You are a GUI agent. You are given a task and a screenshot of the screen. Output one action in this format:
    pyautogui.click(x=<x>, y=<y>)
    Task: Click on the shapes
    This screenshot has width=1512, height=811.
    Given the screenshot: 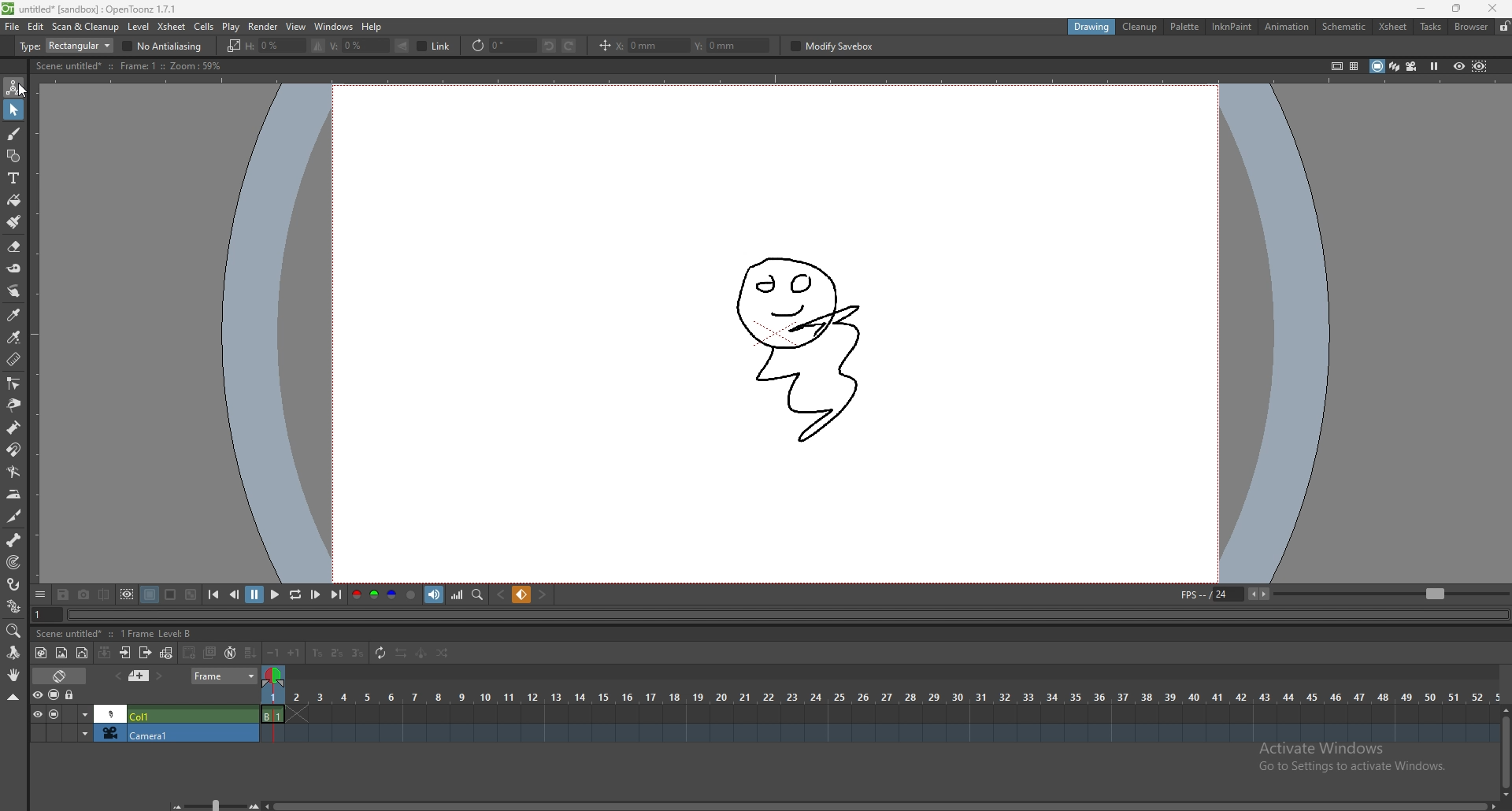 What is the action you would take?
    pyautogui.click(x=13, y=156)
    